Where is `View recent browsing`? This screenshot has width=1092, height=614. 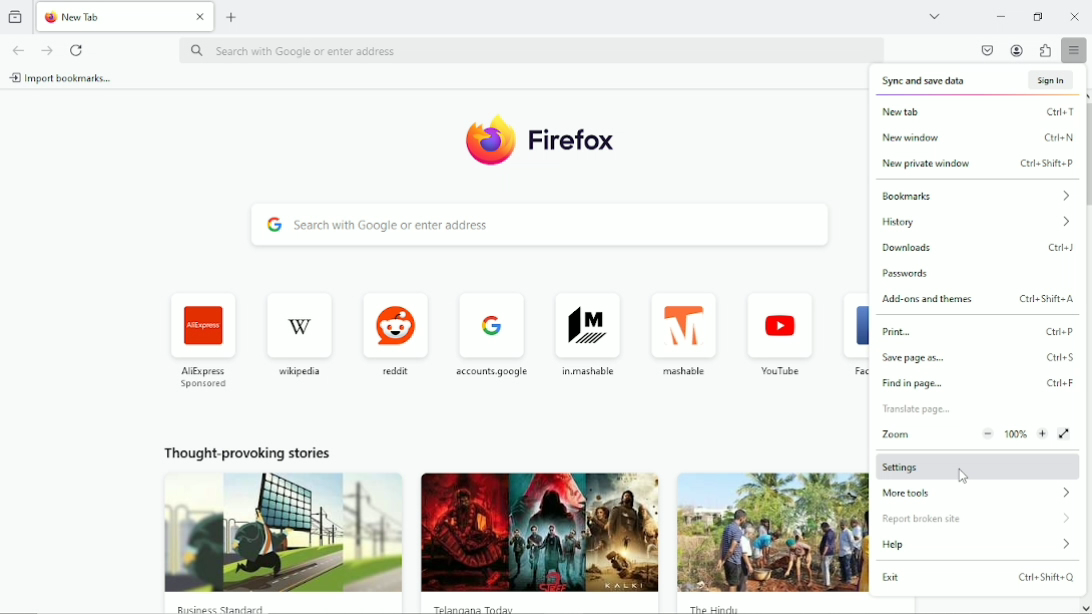 View recent browsing is located at coordinates (15, 17).